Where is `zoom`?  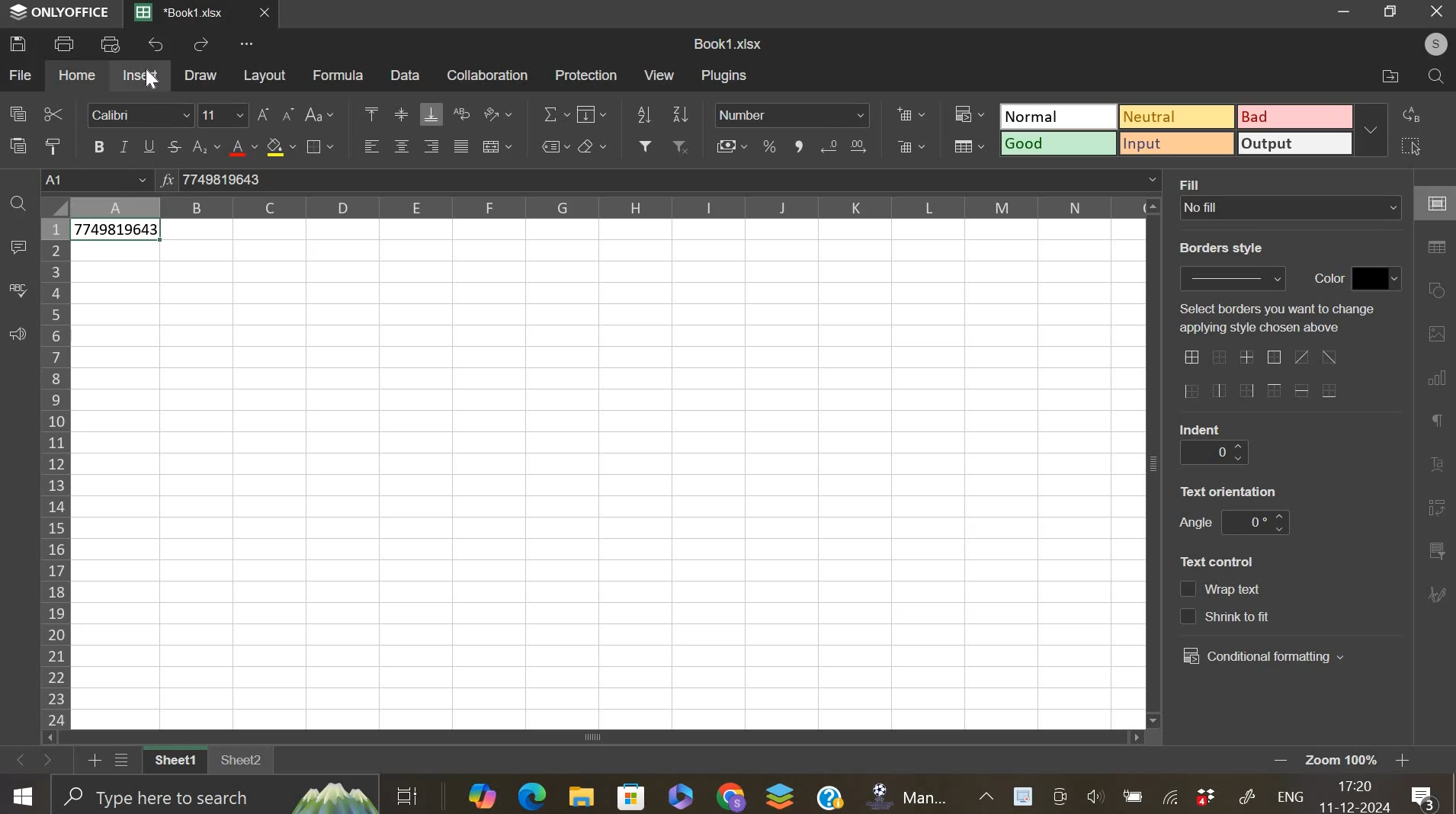 zoom is located at coordinates (1362, 761).